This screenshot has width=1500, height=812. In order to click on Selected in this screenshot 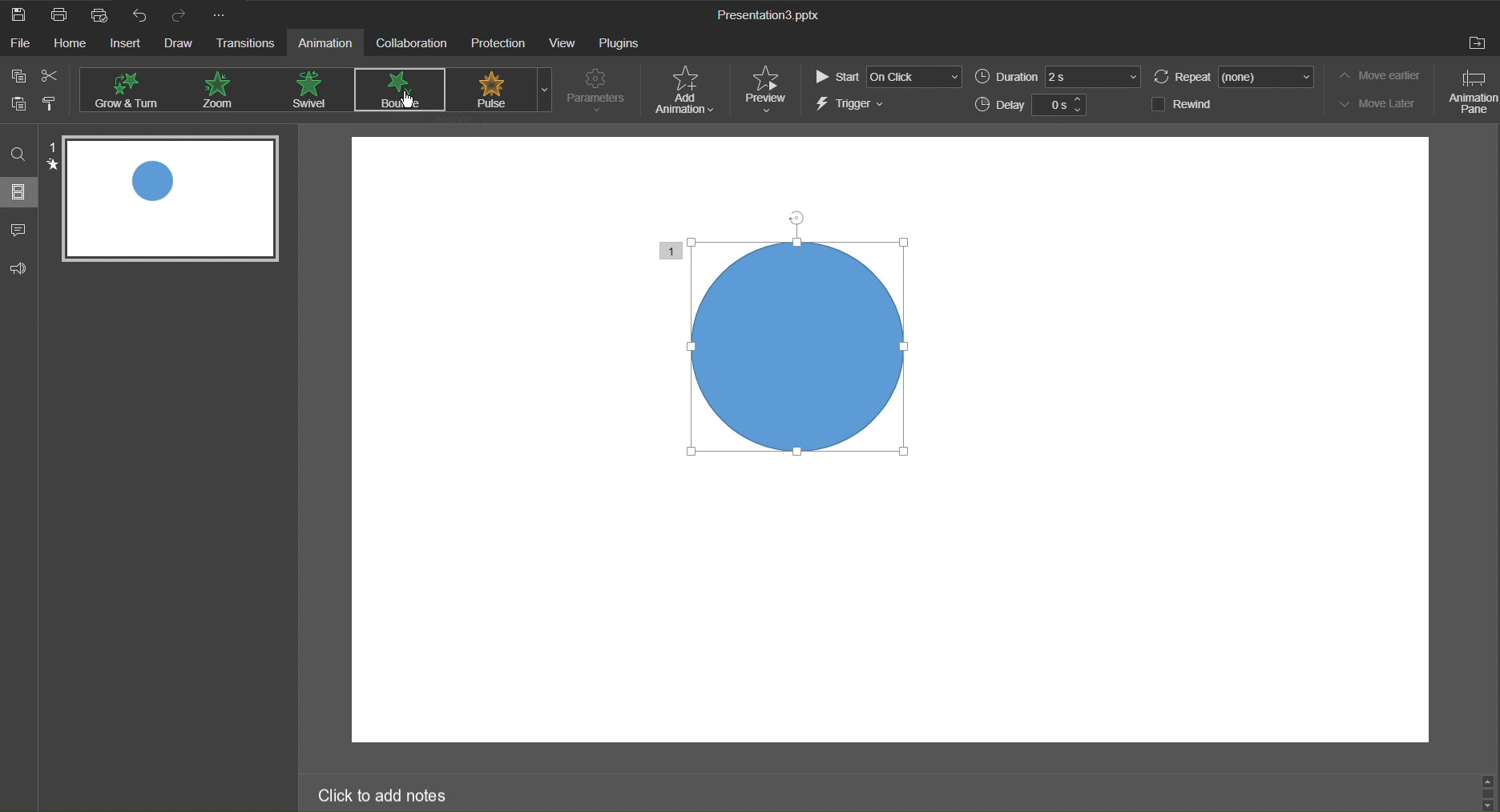, I will do `click(796, 340)`.